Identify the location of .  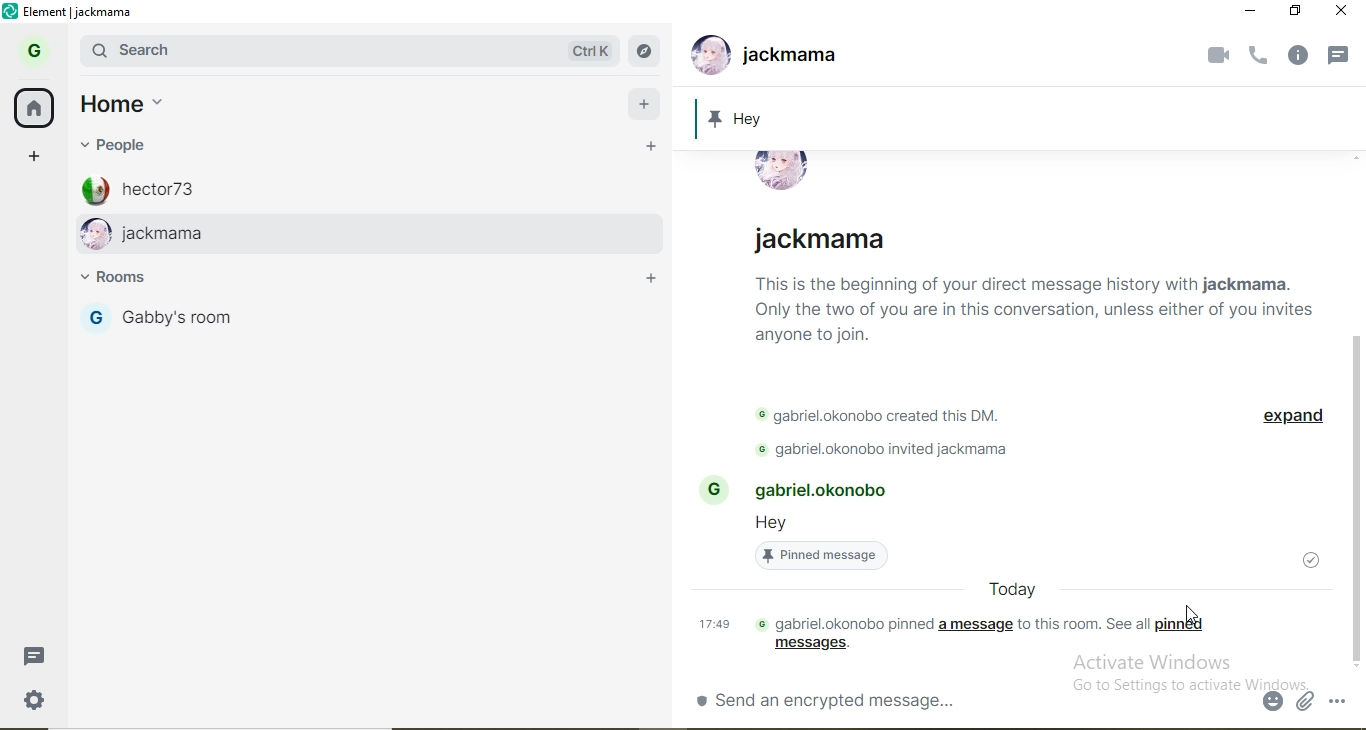
(1237, 12).